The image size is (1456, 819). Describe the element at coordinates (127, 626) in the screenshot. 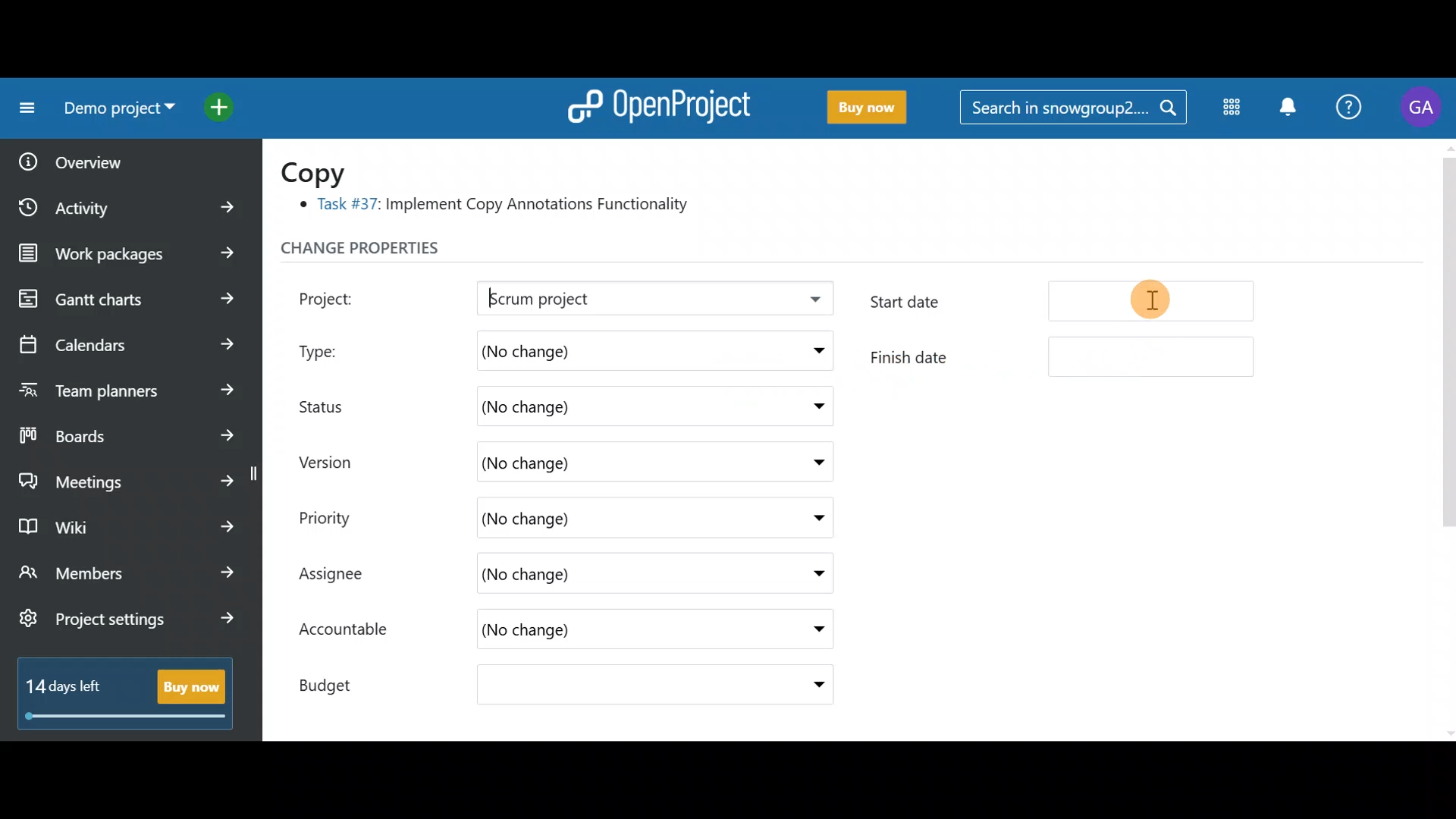

I see `Project settings` at that location.